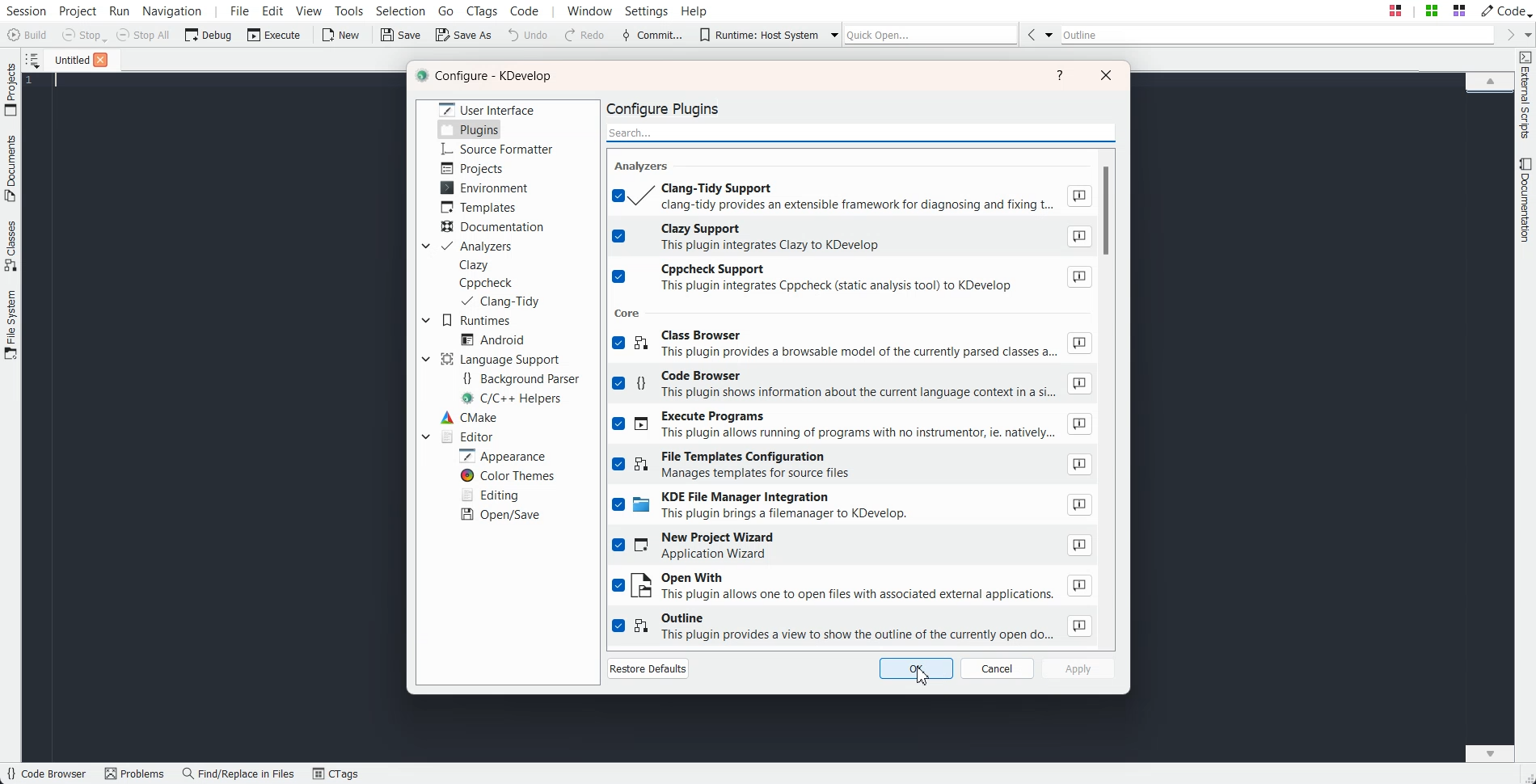 Image resolution: width=1536 pixels, height=784 pixels. What do you see at coordinates (134, 774) in the screenshot?
I see `Problems` at bounding box center [134, 774].